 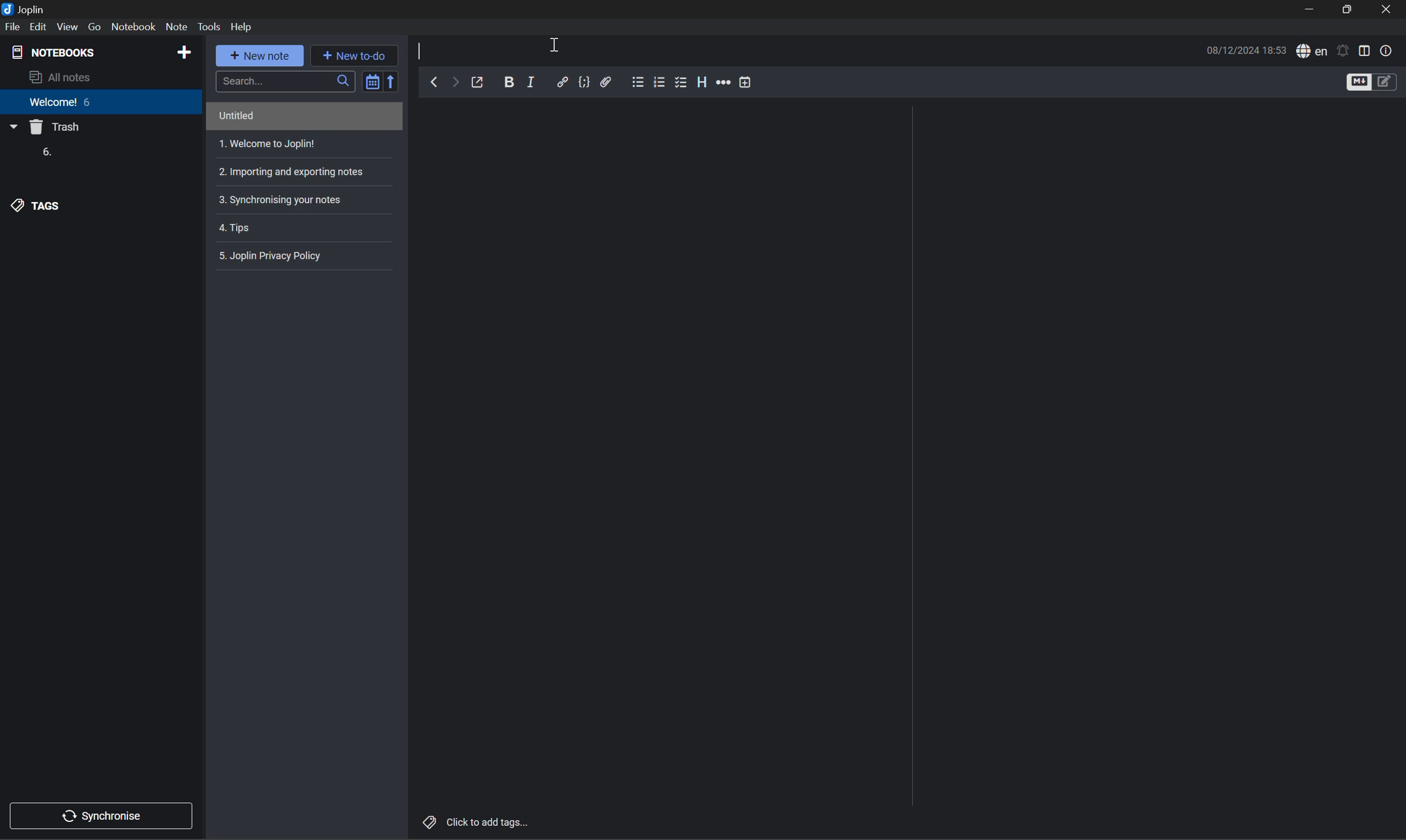 What do you see at coordinates (234, 114) in the screenshot?
I see `Untitled` at bounding box center [234, 114].